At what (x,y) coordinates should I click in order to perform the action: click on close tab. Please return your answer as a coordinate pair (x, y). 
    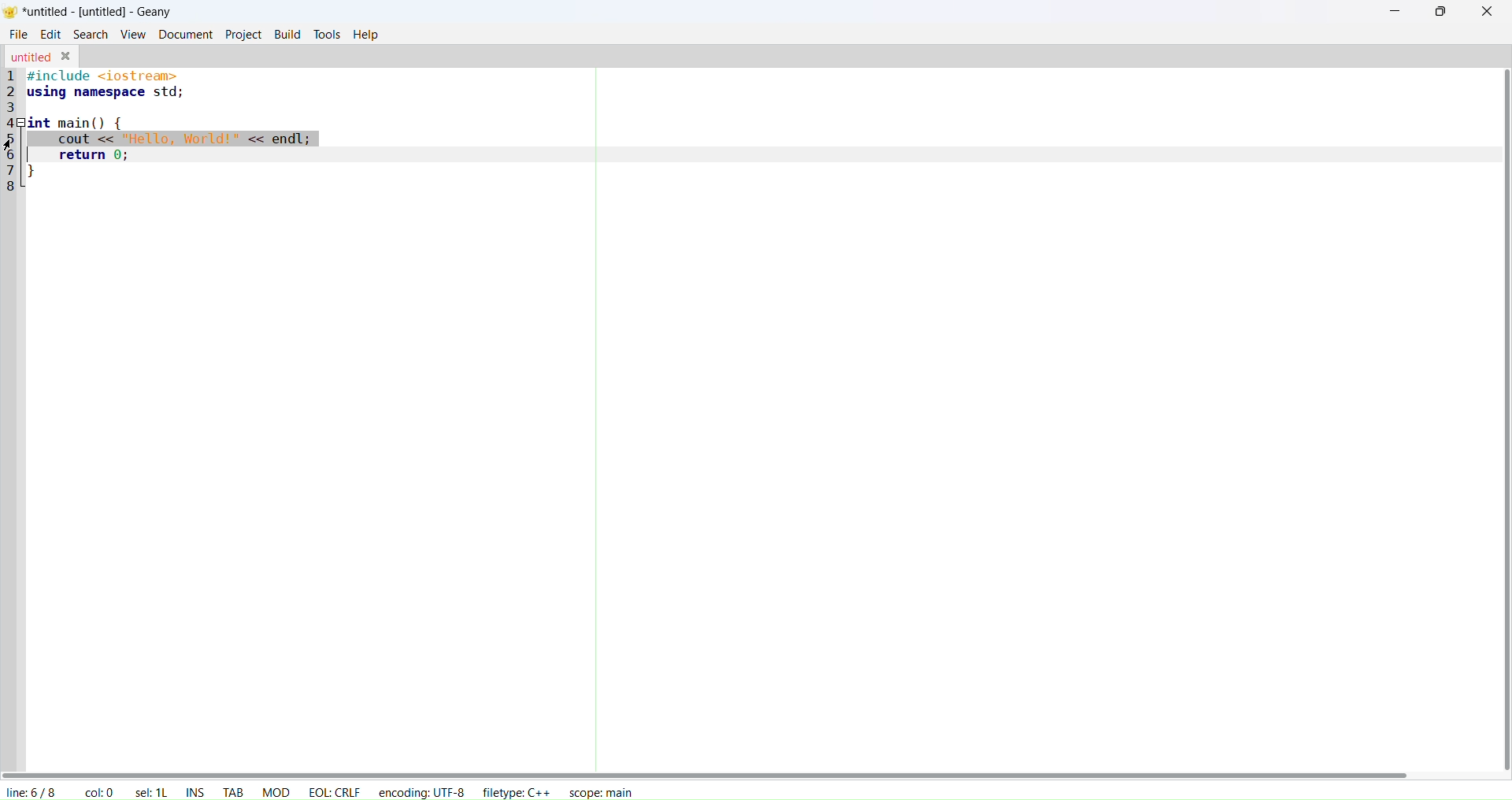
    Looking at the image, I should click on (67, 54).